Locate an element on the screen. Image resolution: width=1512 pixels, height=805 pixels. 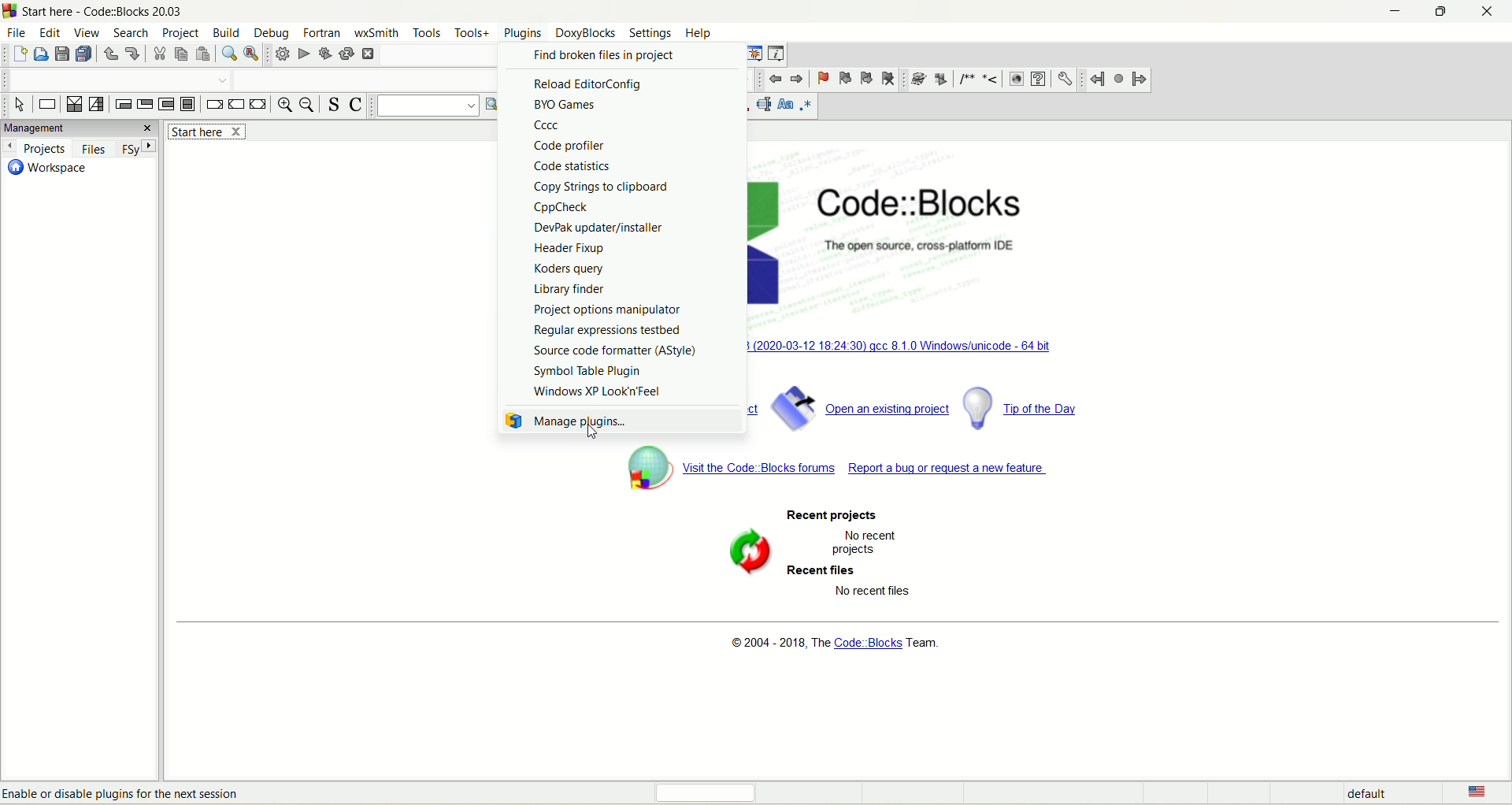
settings is located at coordinates (1064, 77).